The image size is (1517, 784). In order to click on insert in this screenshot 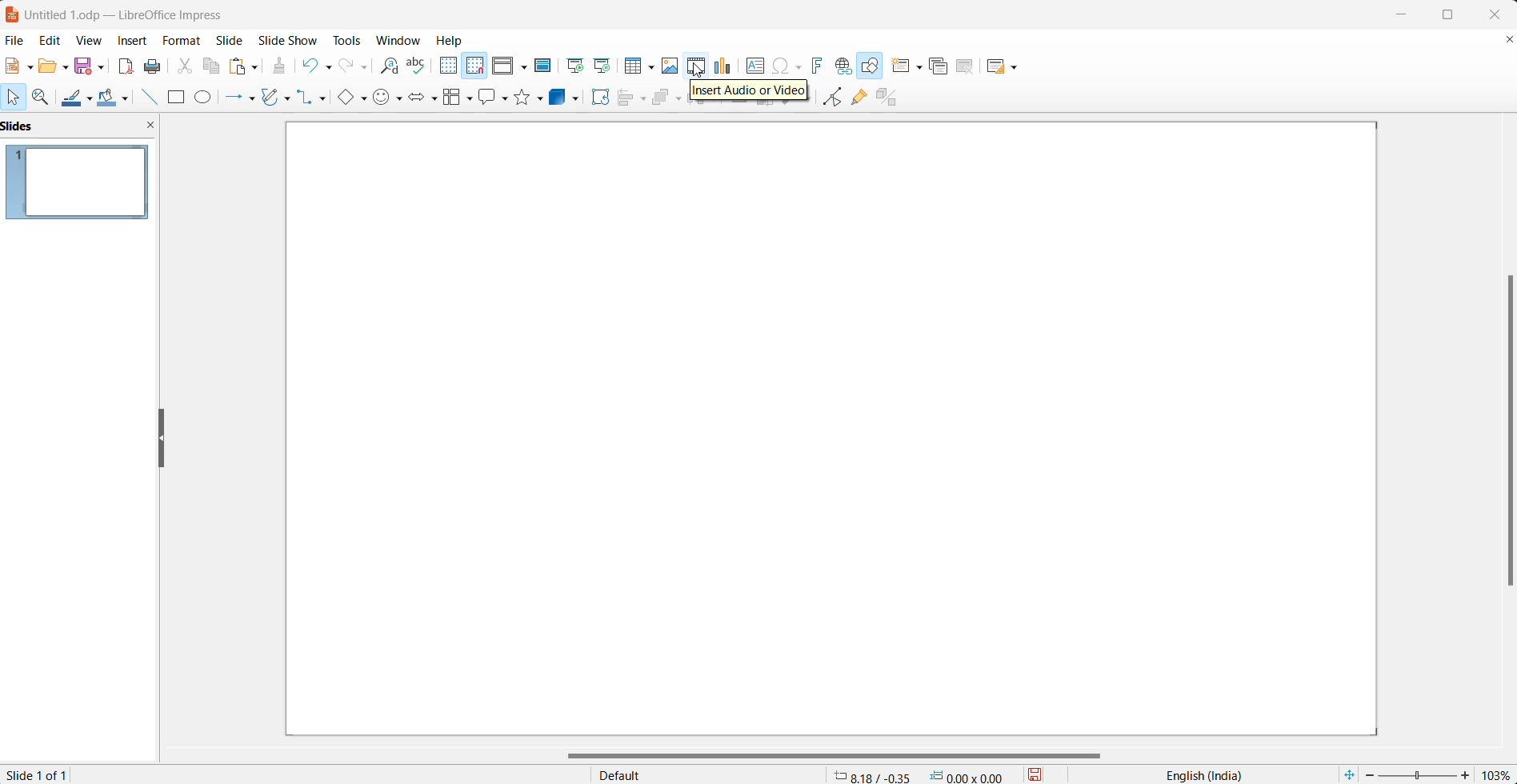, I will do `click(134, 39)`.